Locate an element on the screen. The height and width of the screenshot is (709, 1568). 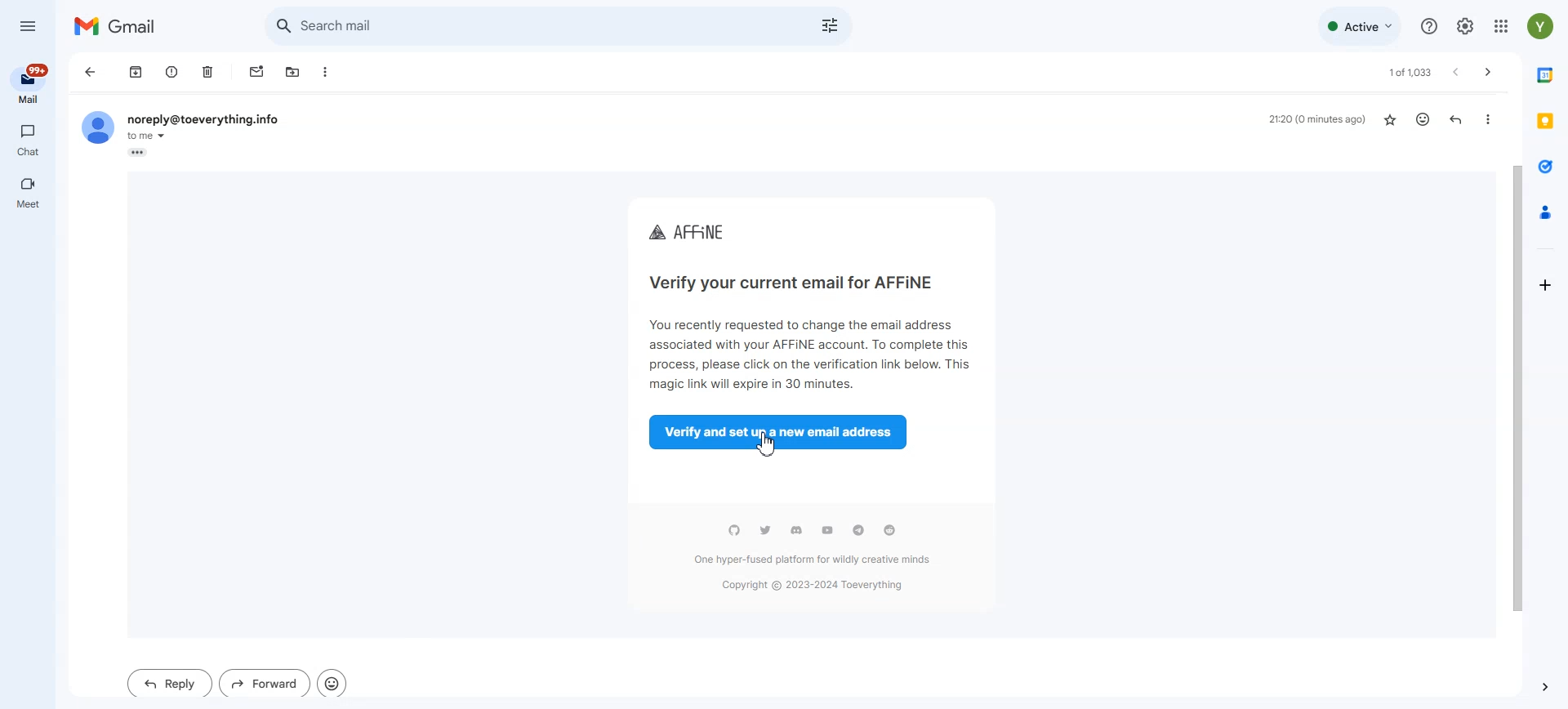
Meet is located at coordinates (28, 195).